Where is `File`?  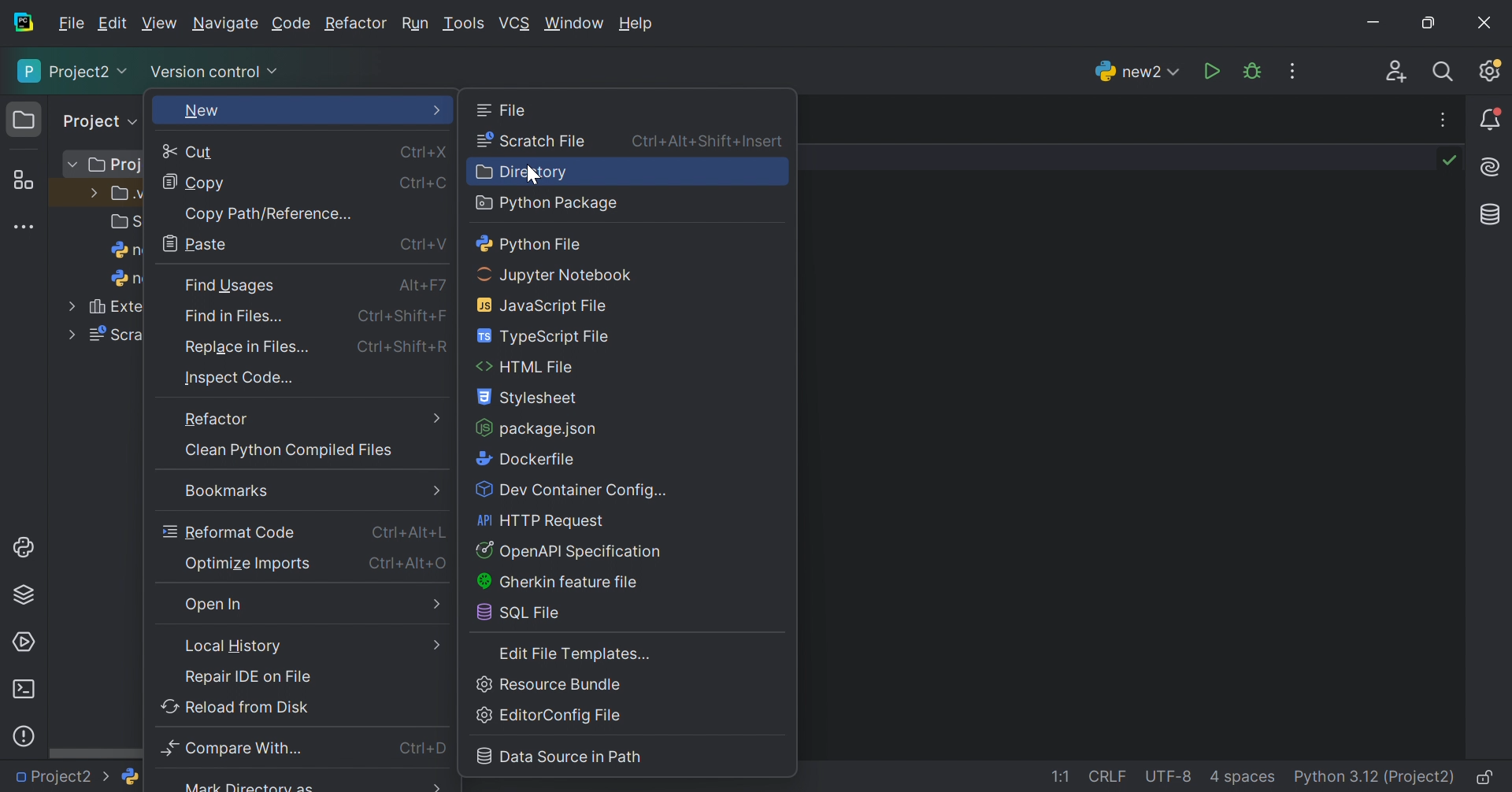 File is located at coordinates (504, 112).